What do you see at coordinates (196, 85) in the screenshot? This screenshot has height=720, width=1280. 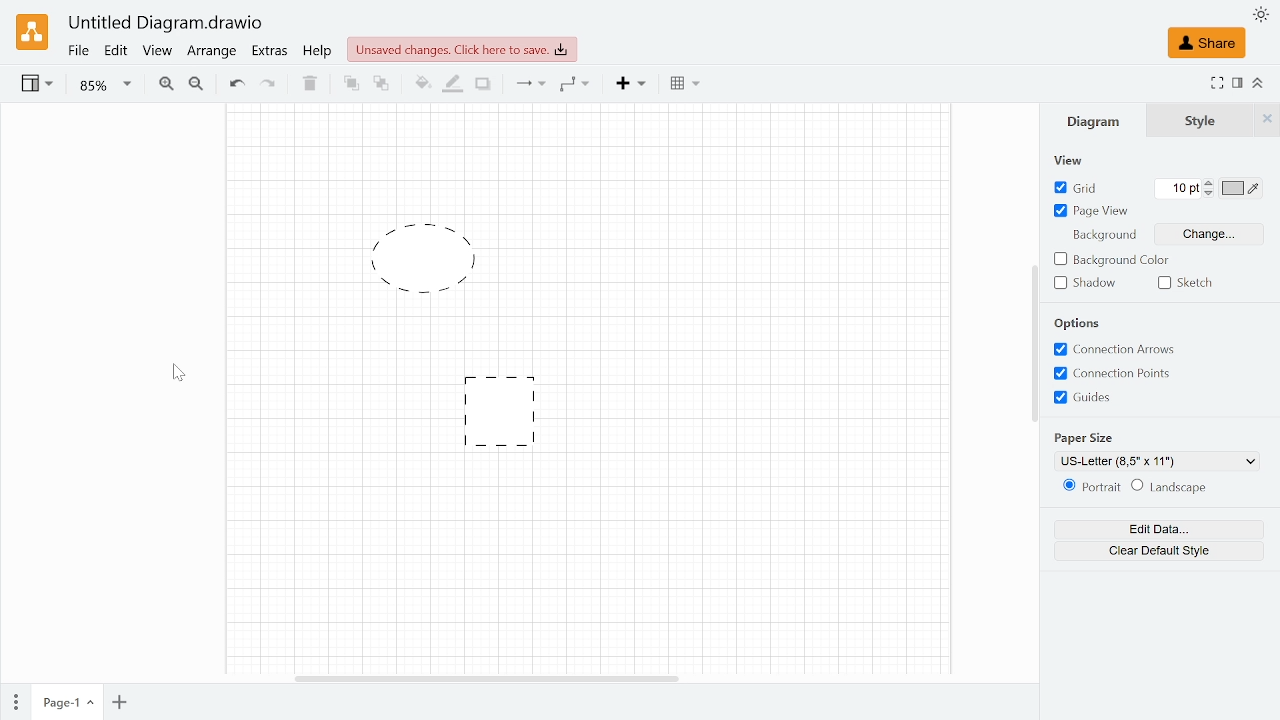 I see `Zoom out` at bounding box center [196, 85].